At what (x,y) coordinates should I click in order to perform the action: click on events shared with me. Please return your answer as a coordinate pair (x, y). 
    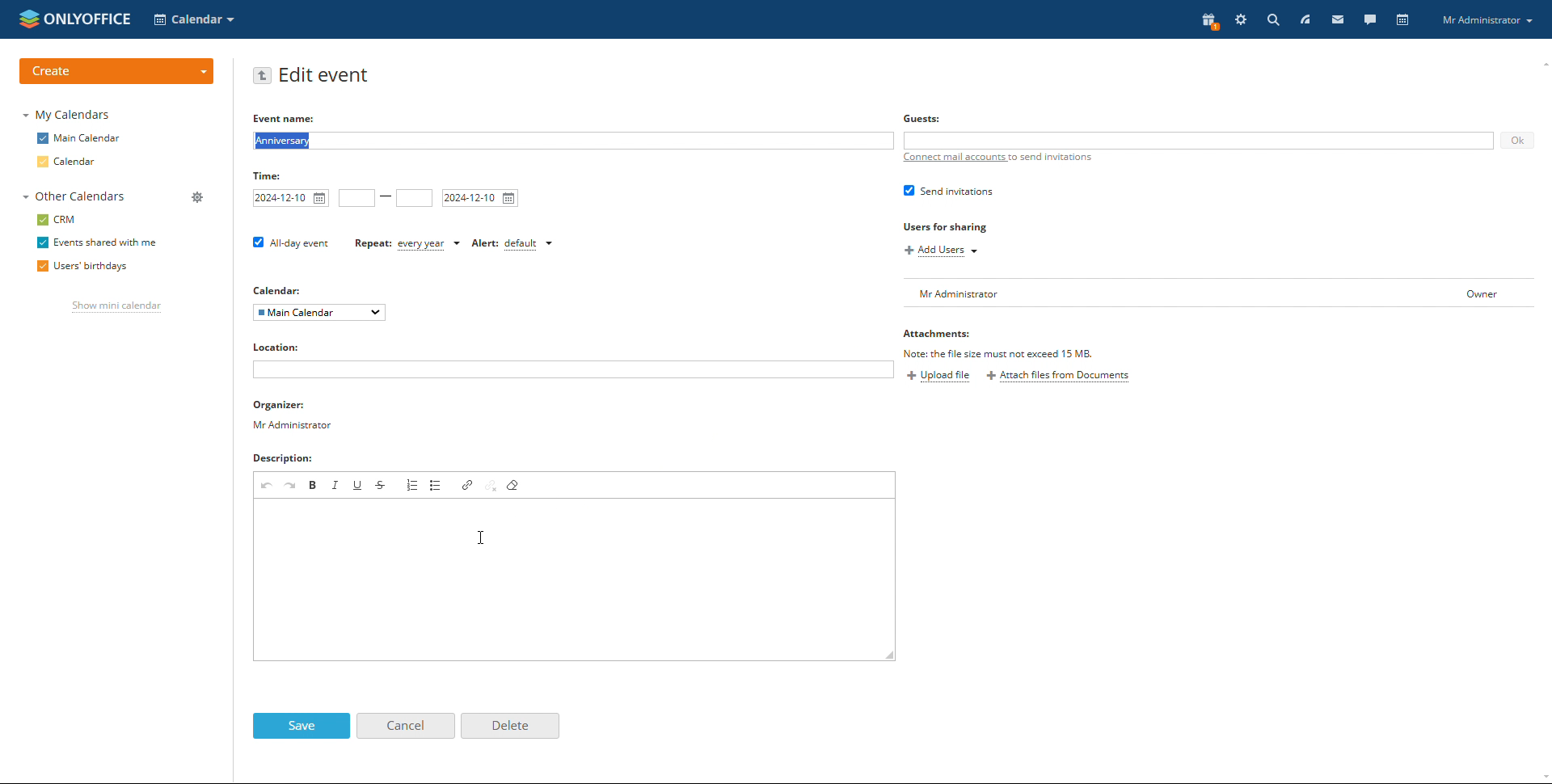
    Looking at the image, I should click on (95, 243).